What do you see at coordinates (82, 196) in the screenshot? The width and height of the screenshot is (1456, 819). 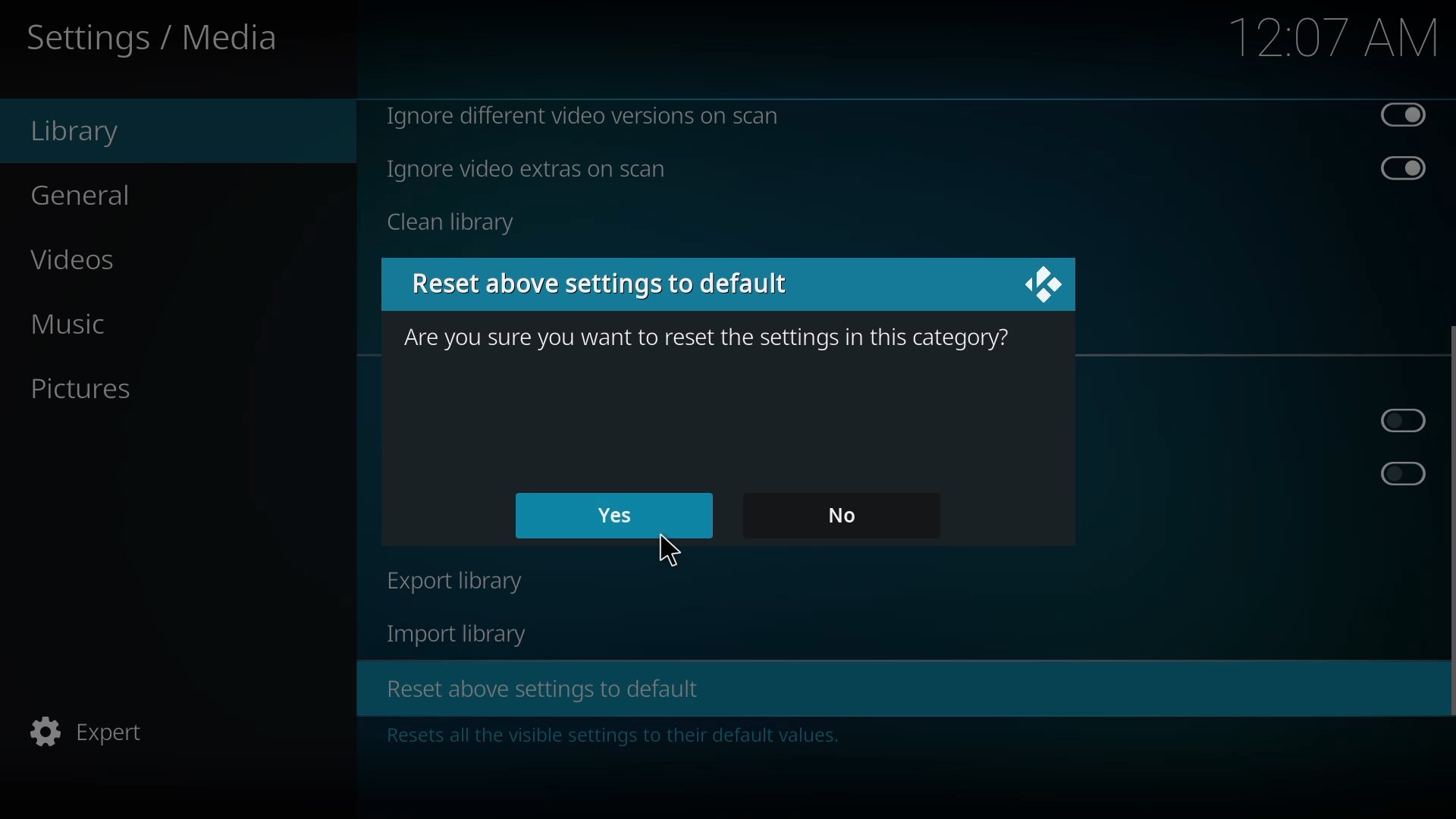 I see `general` at bounding box center [82, 196].